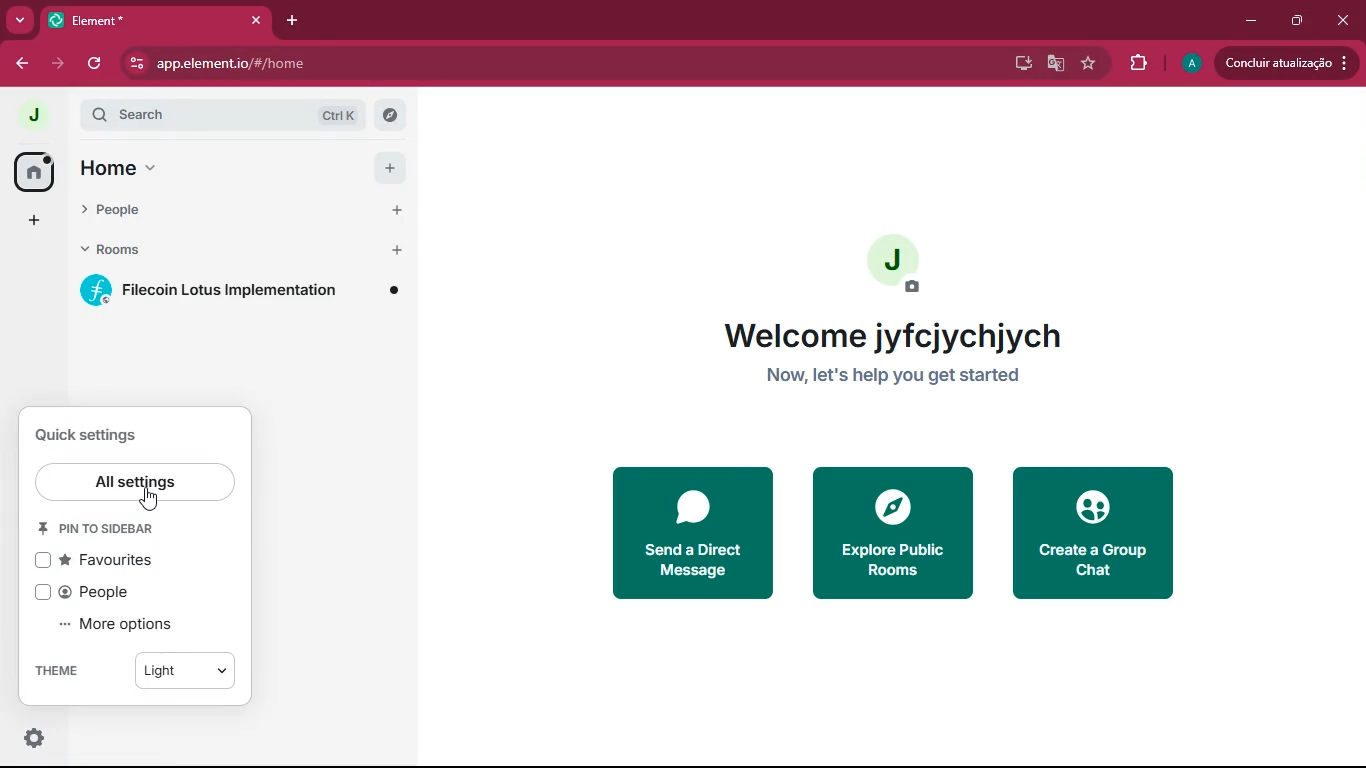 The height and width of the screenshot is (768, 1366). What do you see at coordinates (30, 220) in the screenshot?
I see `add` at bounding box center [30, 220].